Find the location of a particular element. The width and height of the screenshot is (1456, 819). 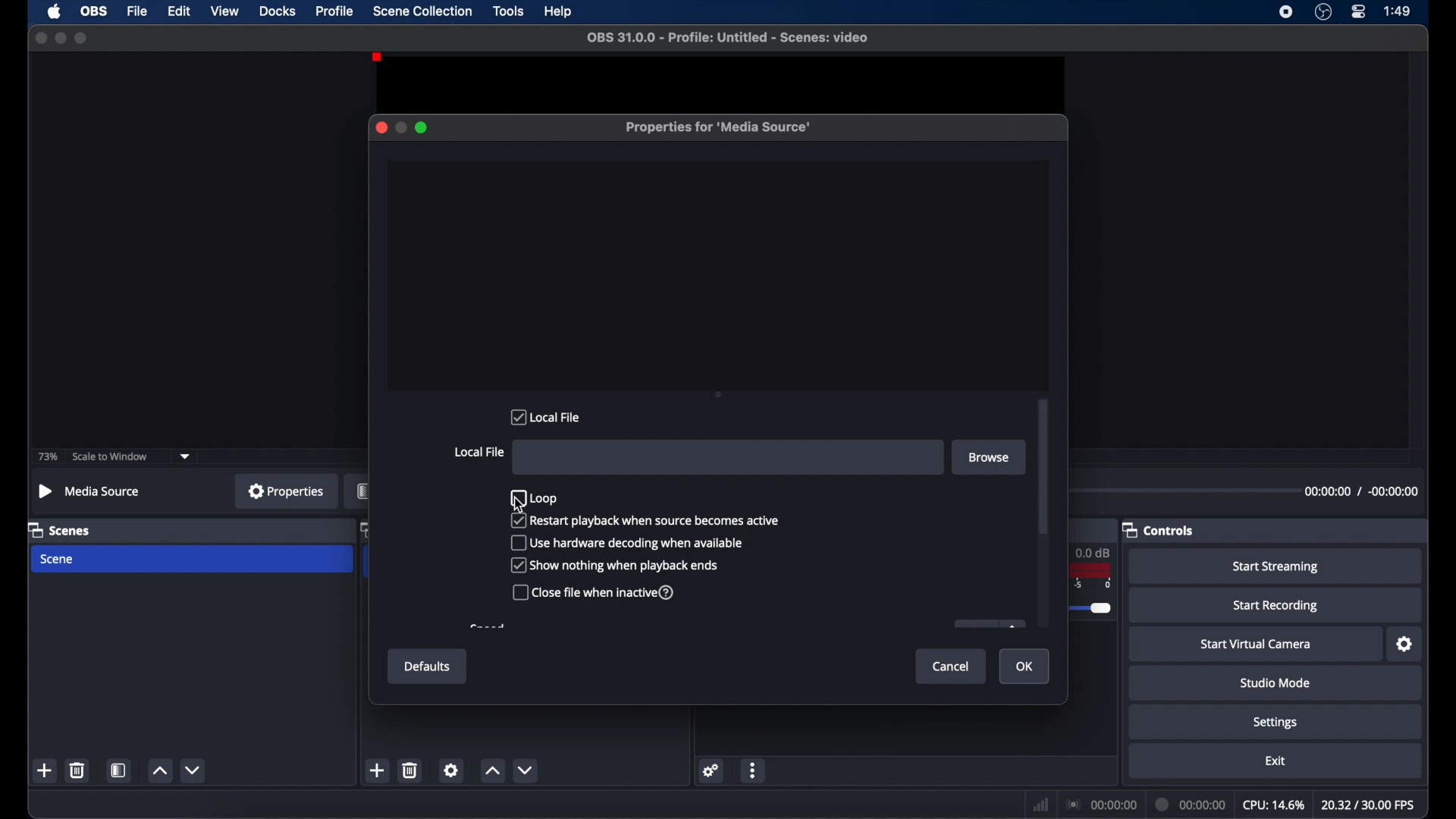

file name is located at coordinates (728, 38).